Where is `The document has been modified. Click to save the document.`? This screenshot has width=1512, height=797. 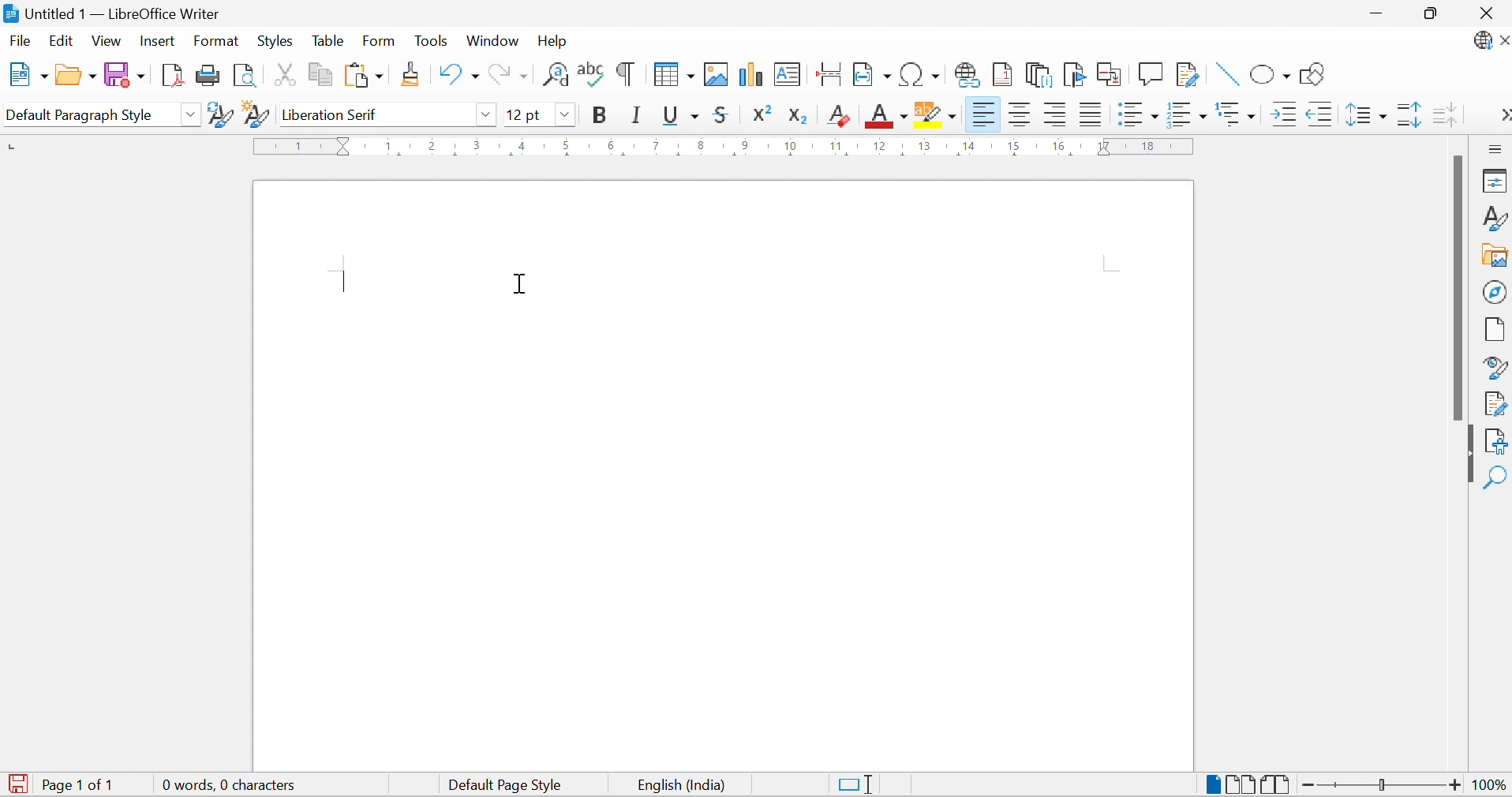
The document has been modified. Click to save the document. is located at coordinates (17, 784).